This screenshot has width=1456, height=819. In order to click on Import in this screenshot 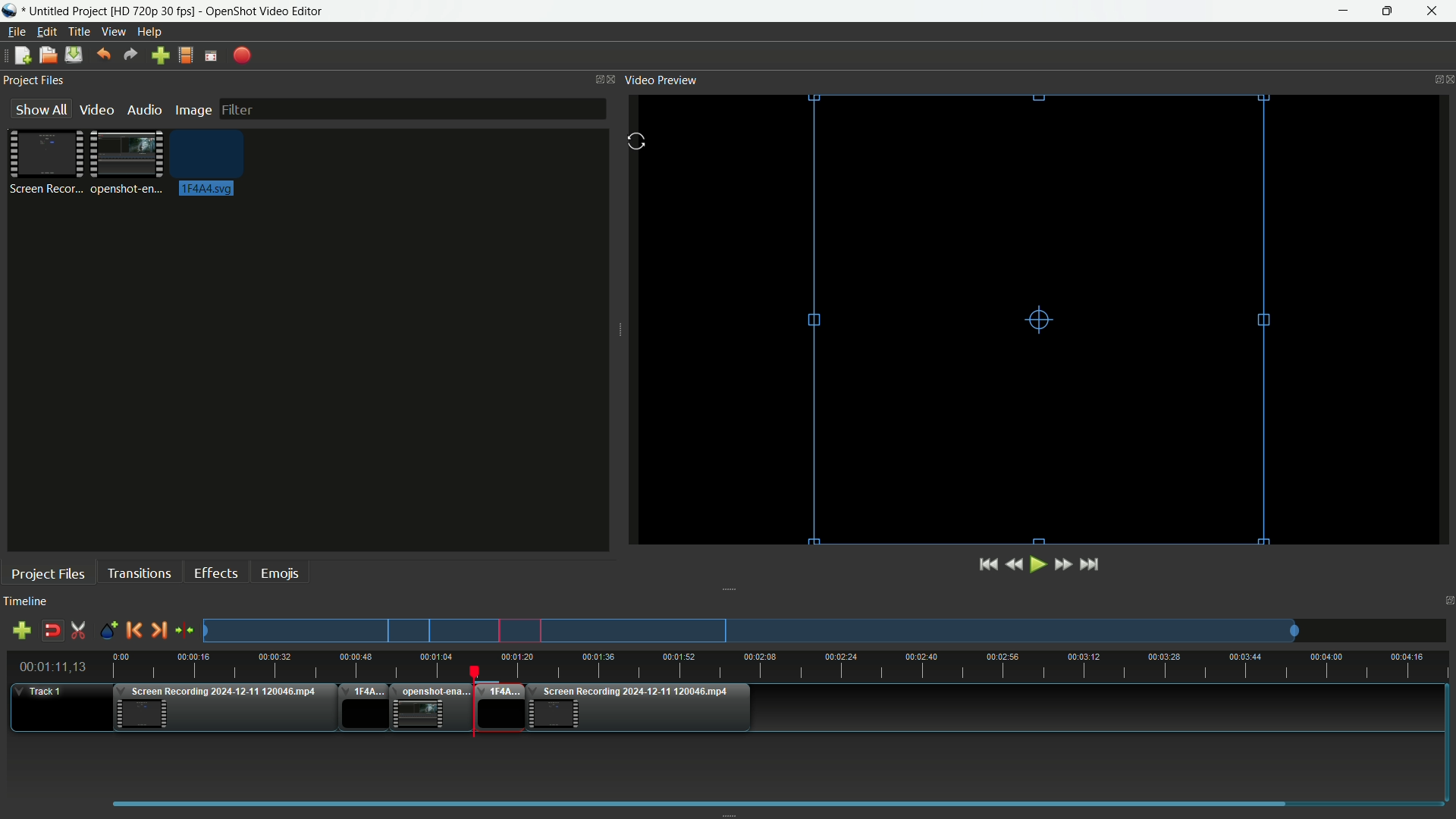, I will do `click(162, 57)`.